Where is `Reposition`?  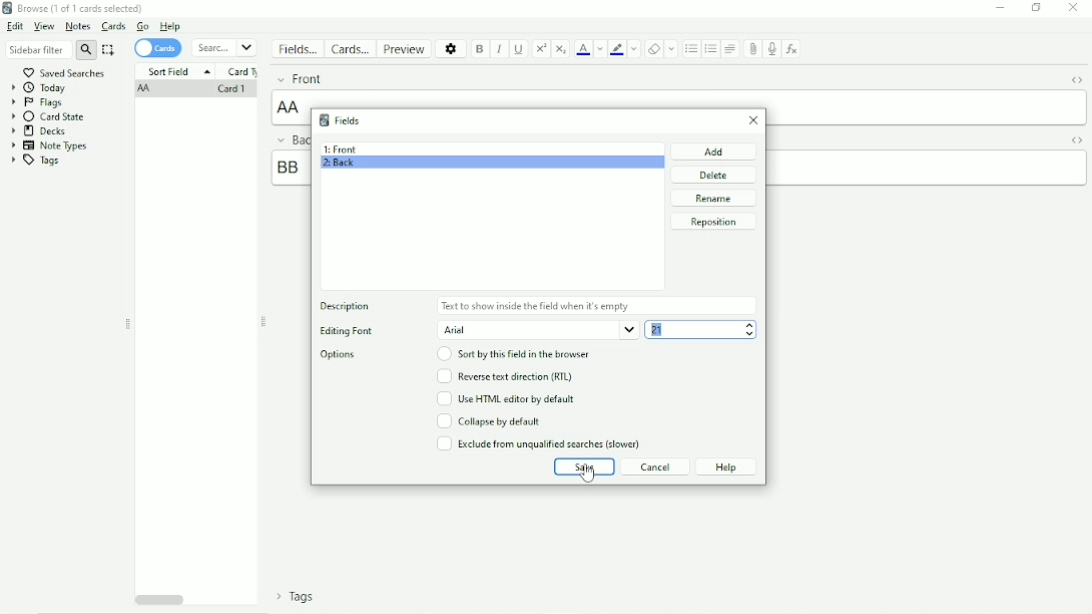 Reposition is located at coordinates (713, 222).